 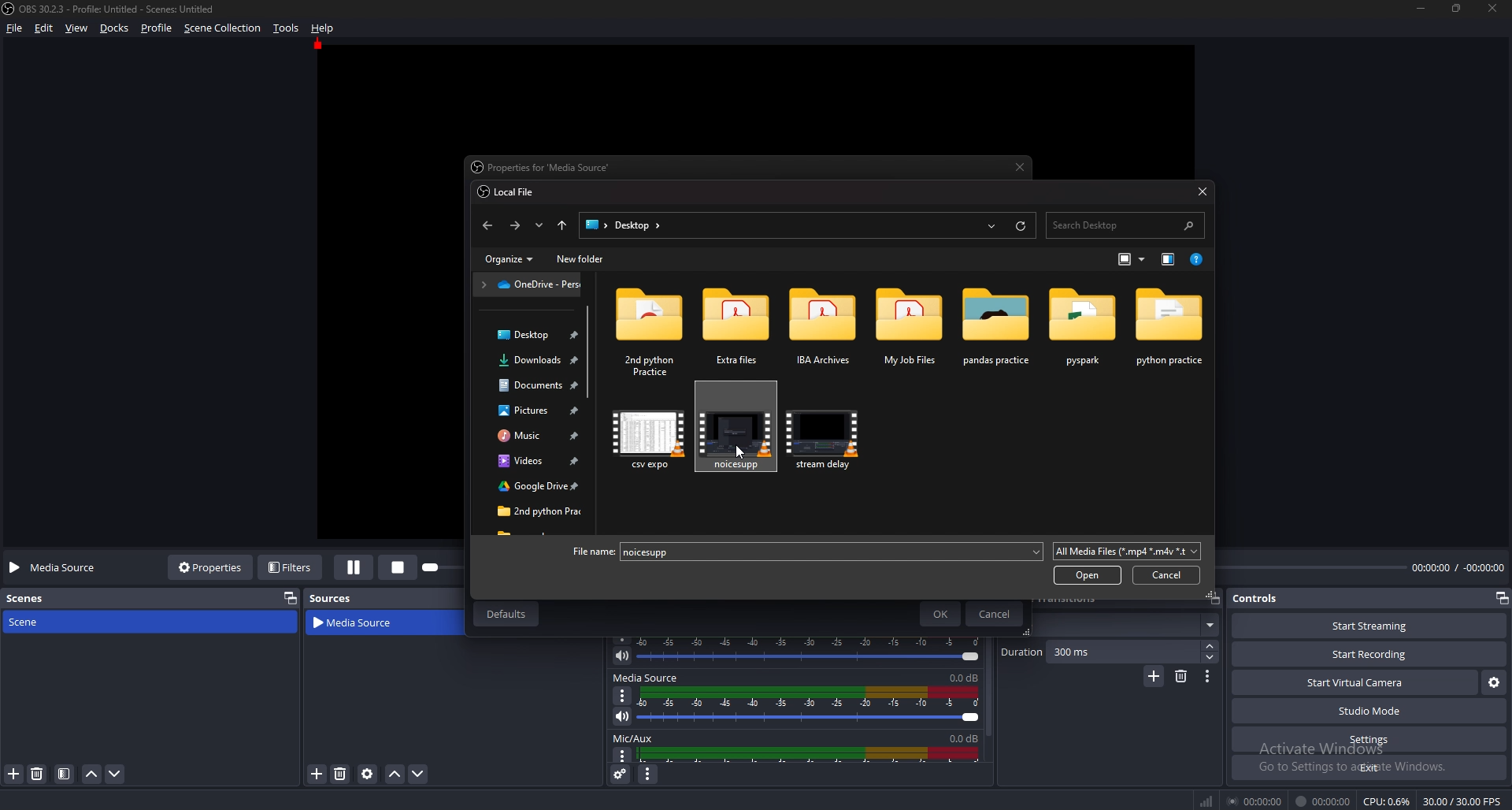 What do you see at coordinates (533, 511) in the screenshot?
I see `folder` at bounding box center [533, 511].